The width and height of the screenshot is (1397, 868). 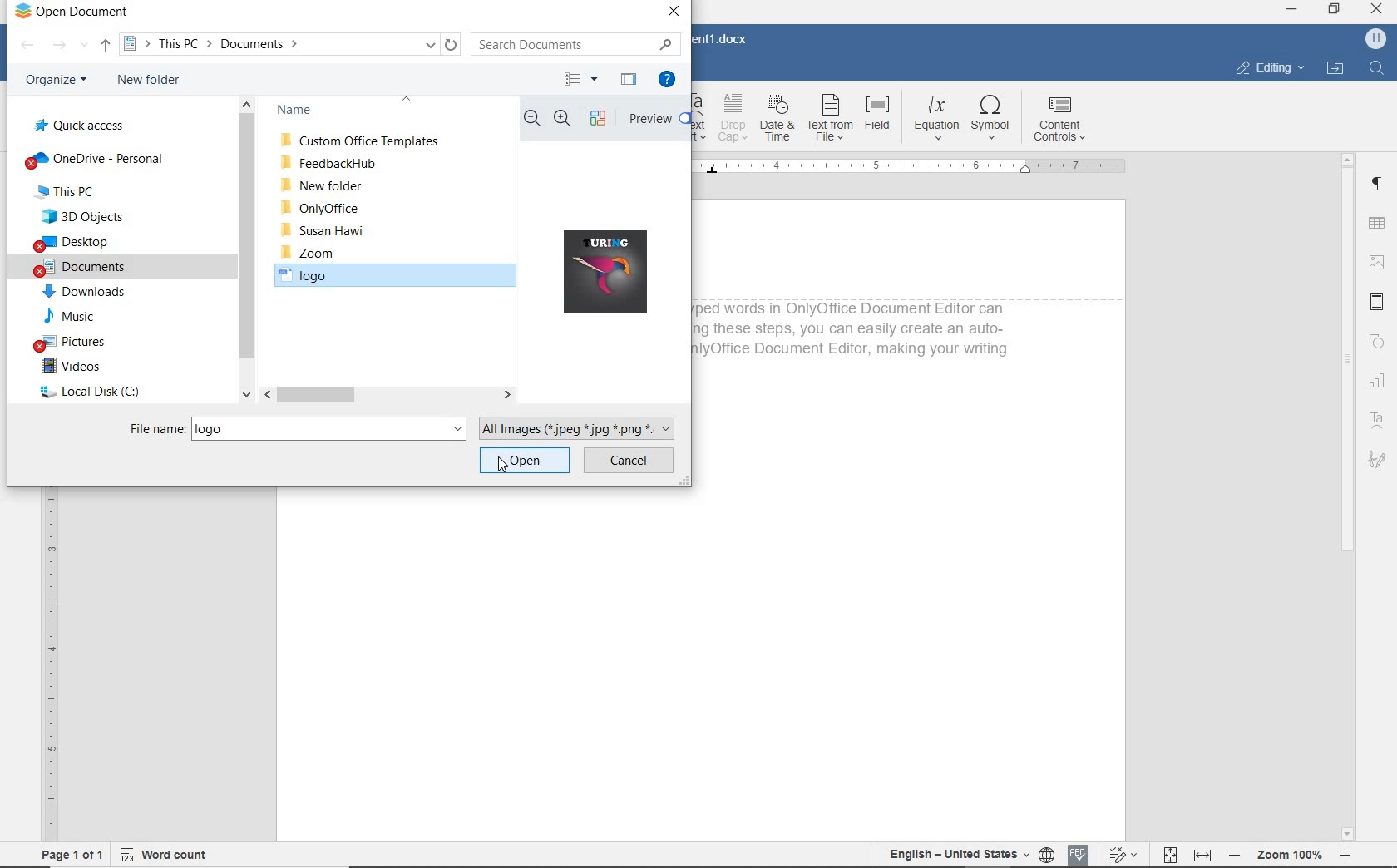 I want to click on MUSIC, so click(x=77, y=318).